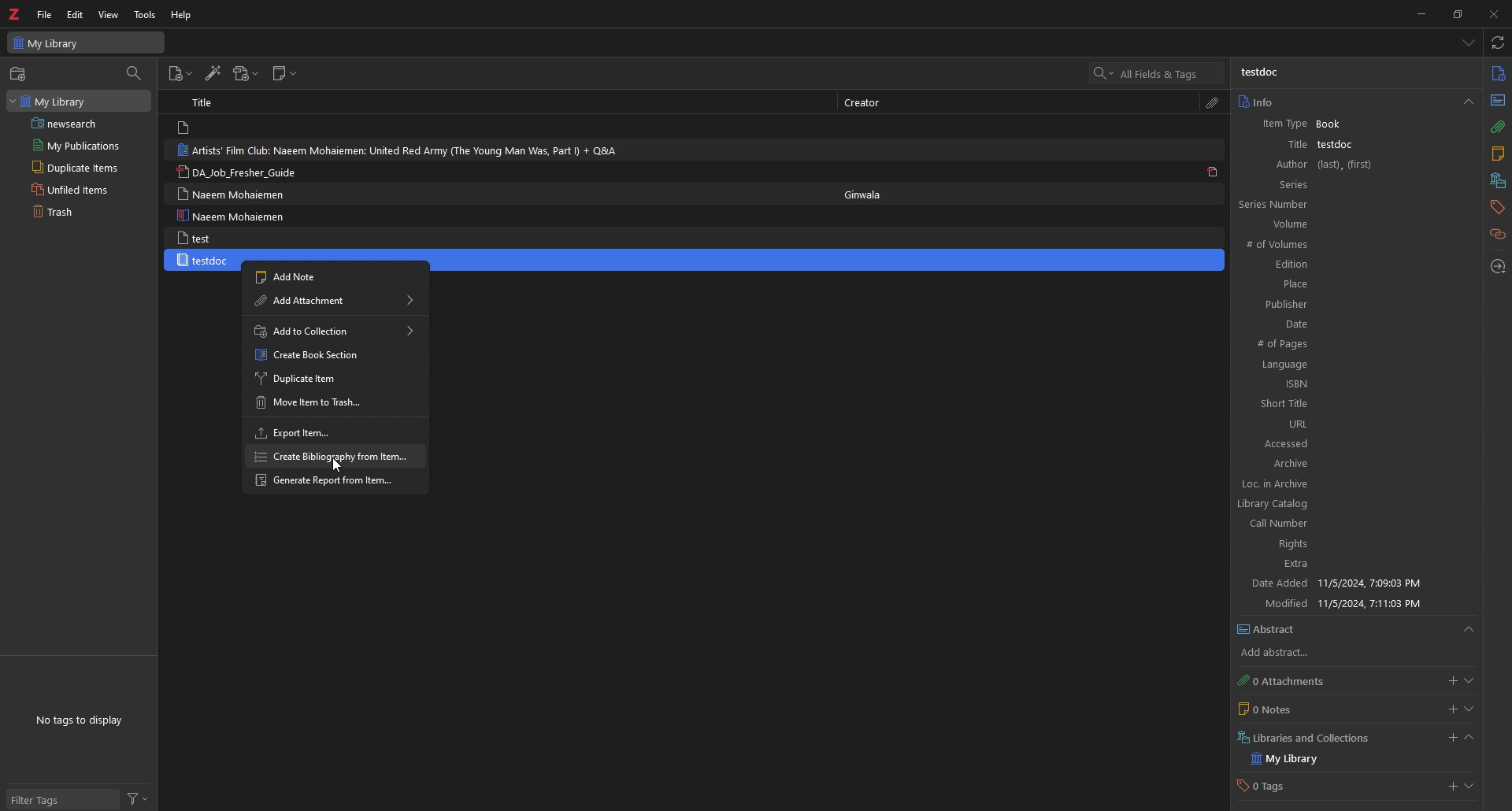 This screenshot has height=811, width=1512. I want to click on add notes, so click(1452, 709).